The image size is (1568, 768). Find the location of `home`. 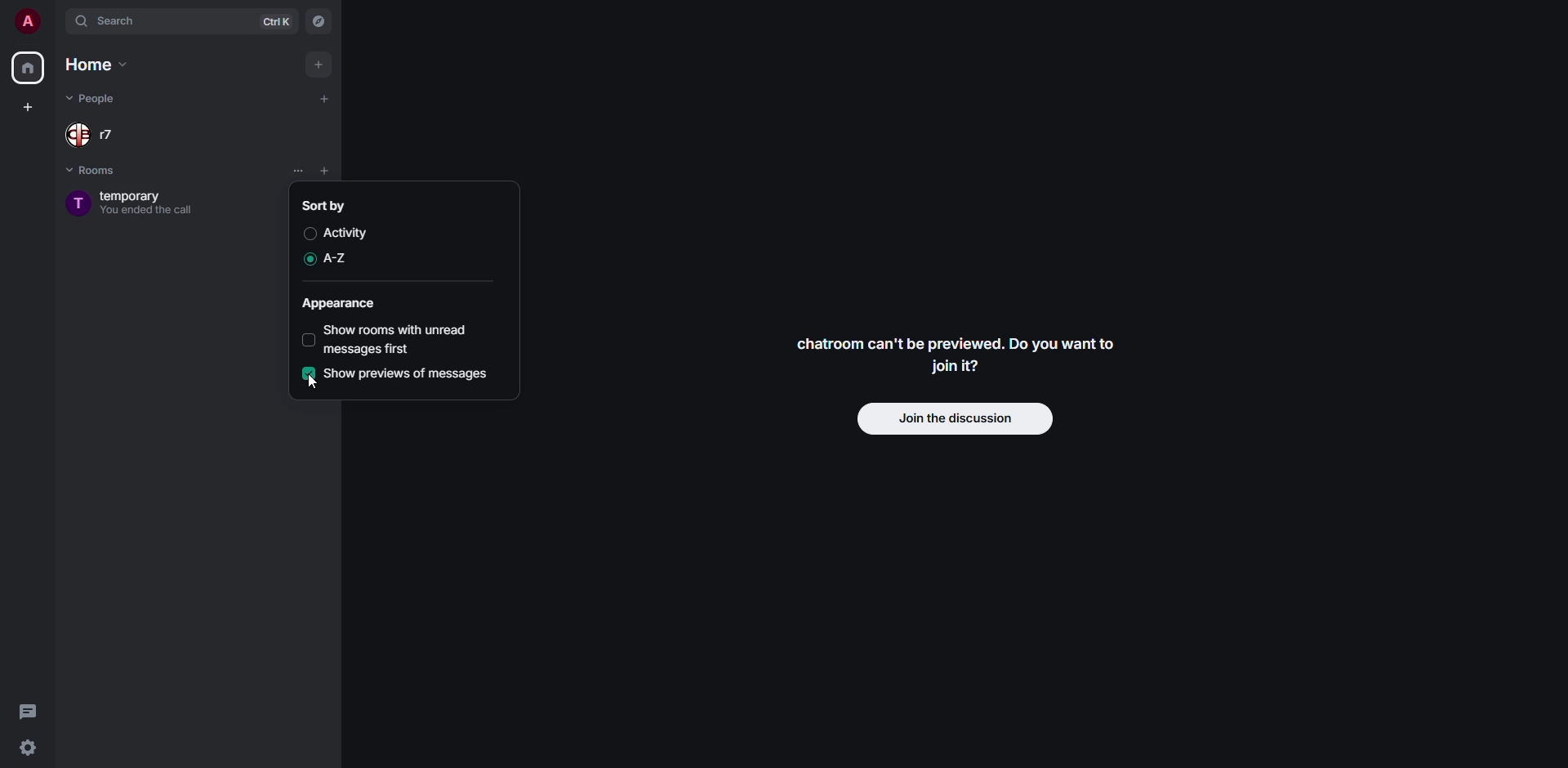

home is located at coordinates (100, 65).